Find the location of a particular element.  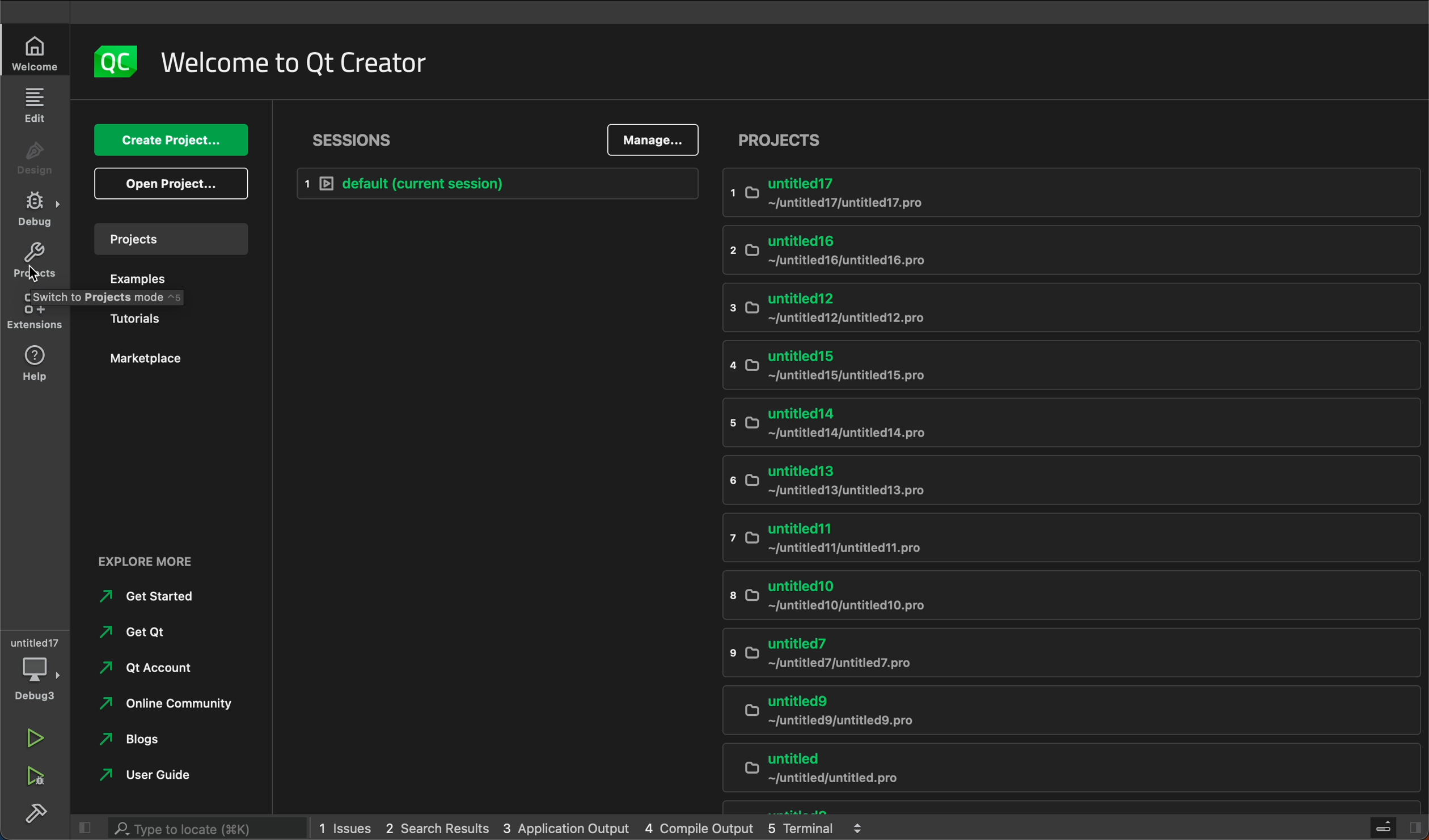

WELCOME is located at coordinates (37, 54).